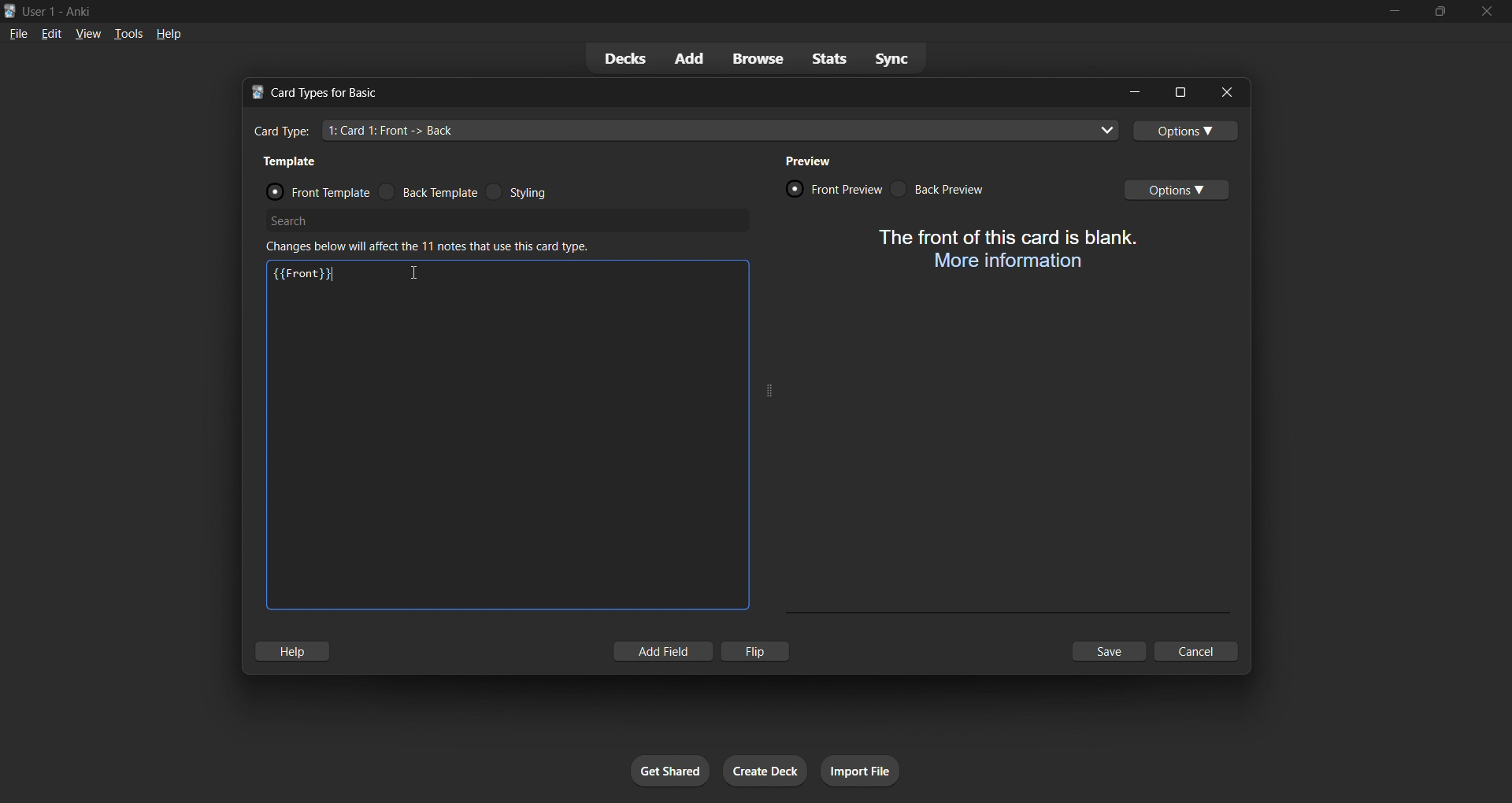  I want to click on help, so click(171, 35).